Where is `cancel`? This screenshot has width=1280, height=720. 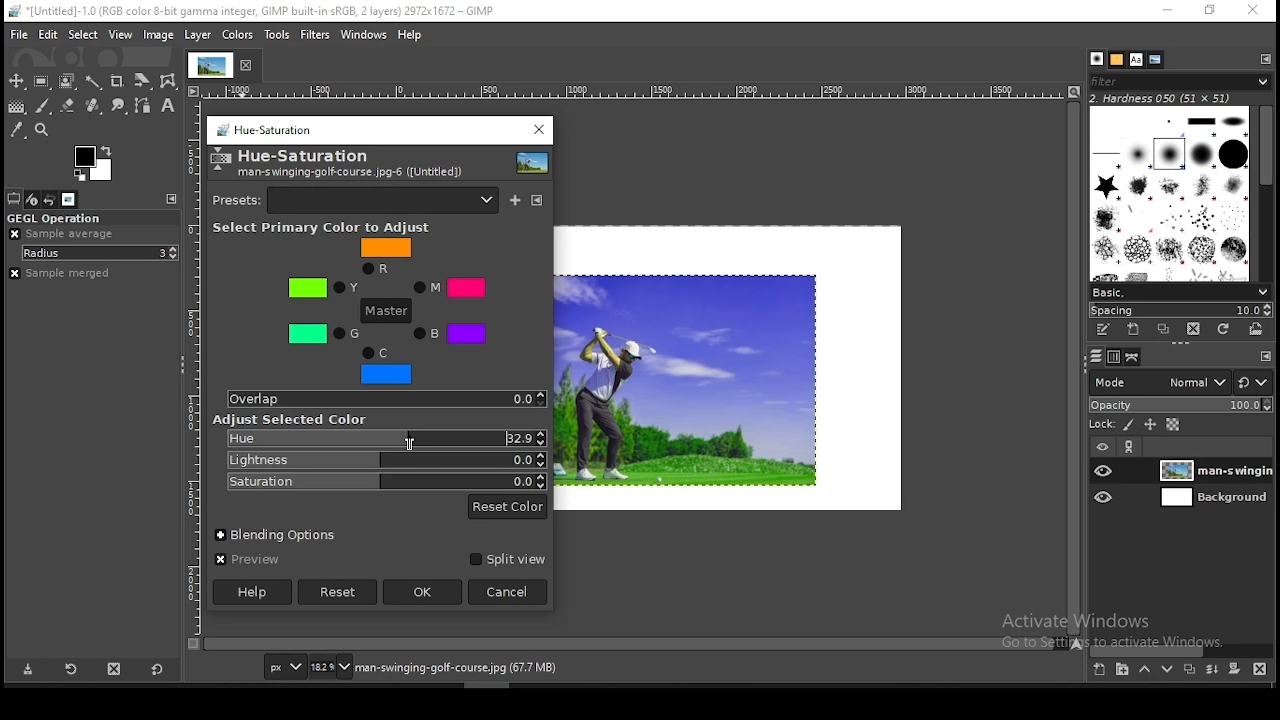
cancel is located at coordinates (510, 591).